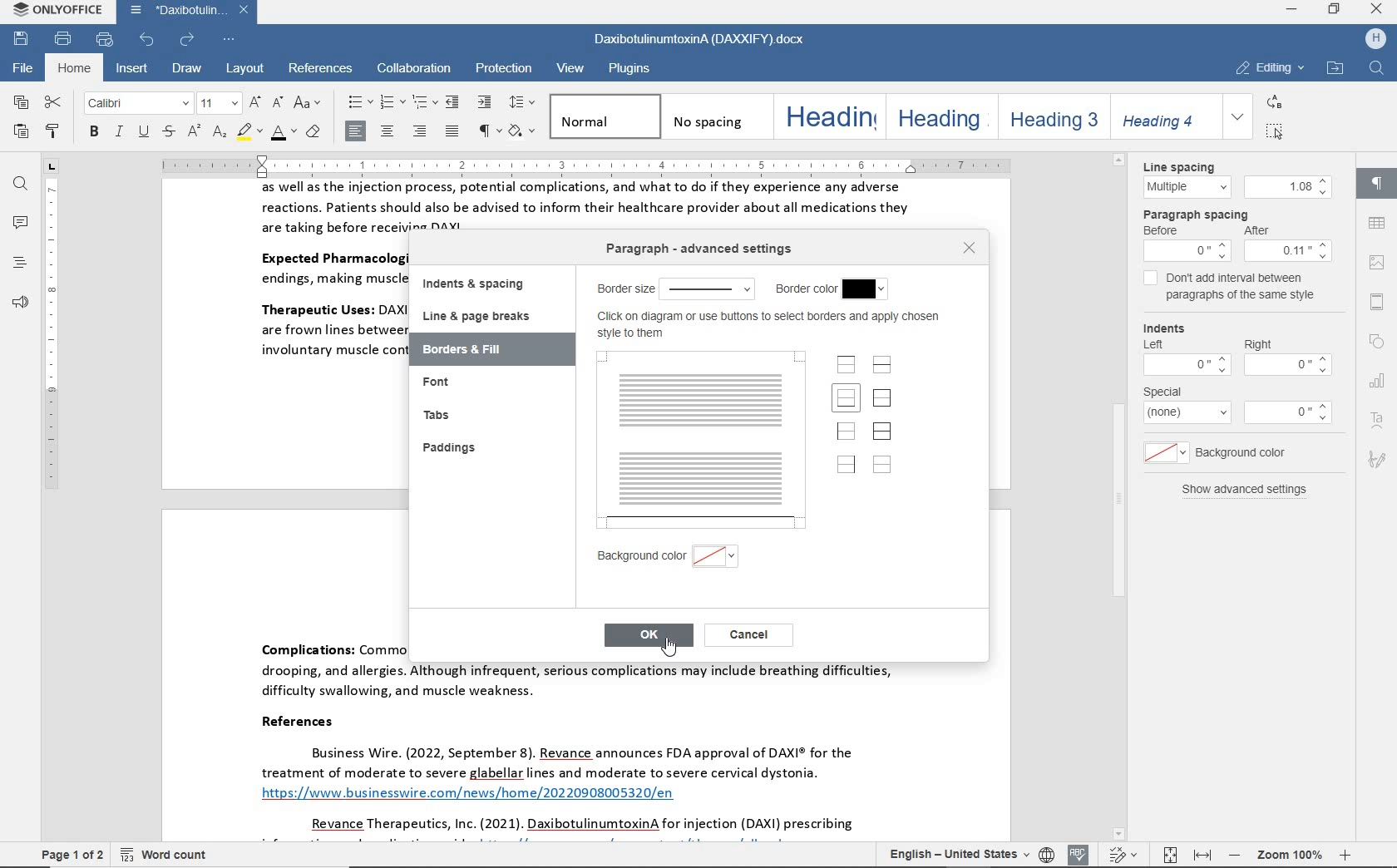  Describe the element at coordinates (768, 325) in the screenshot. I see `click on diagram or use buttons to select borders` at that location.